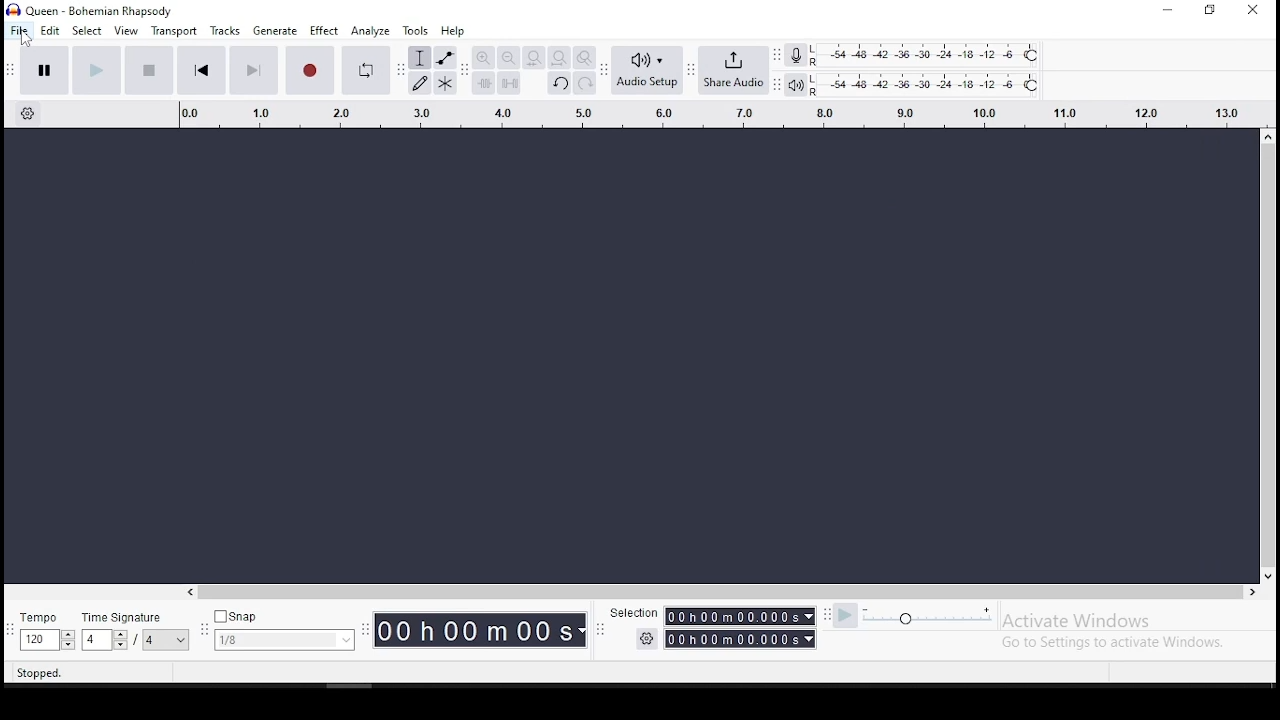  What do you see at coordinates (285, 631) in the screenshot?
I see `snap` at bounding box center [285, 631].